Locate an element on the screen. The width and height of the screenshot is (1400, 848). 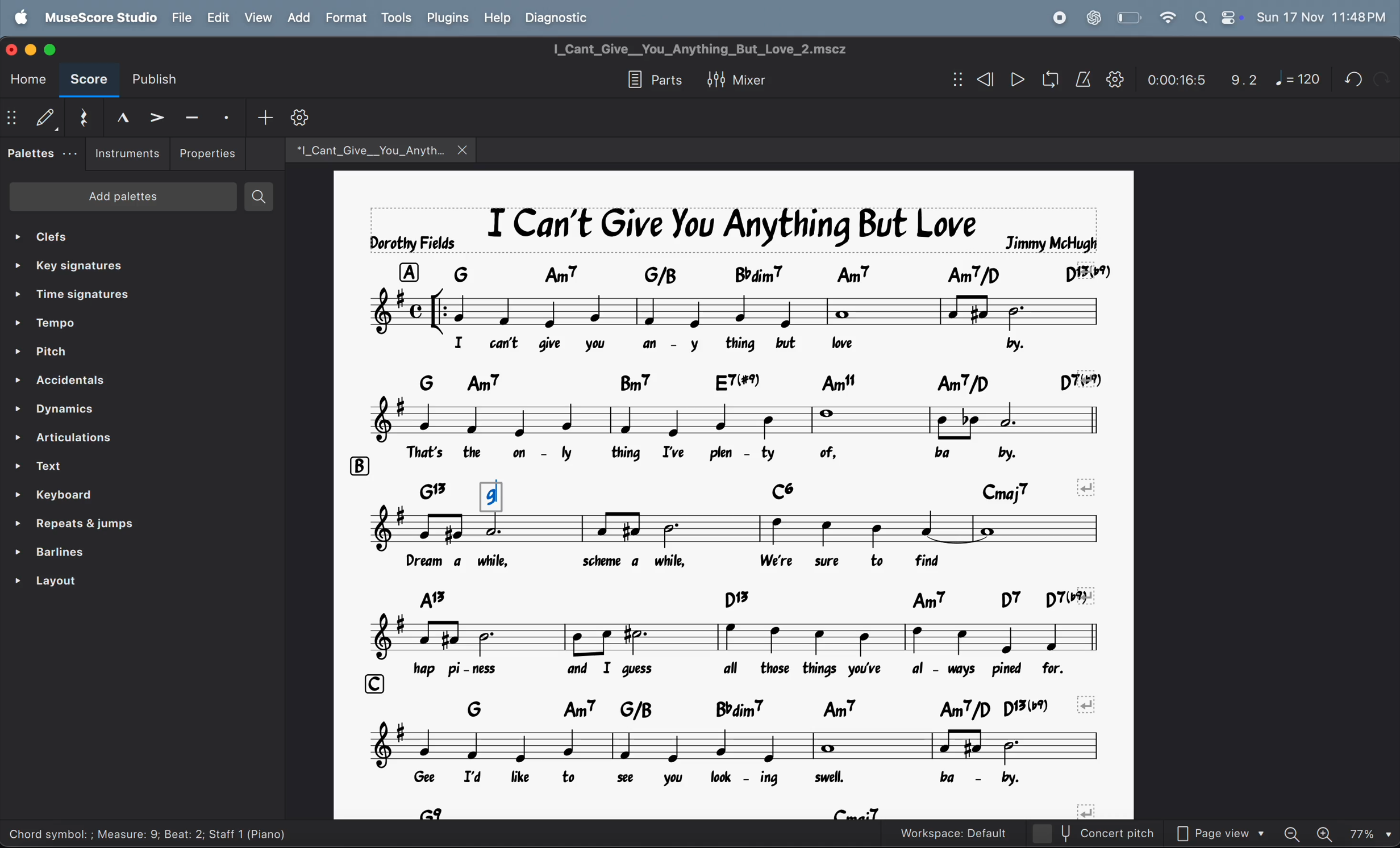
wifi is located at coordinates (1168, 18).